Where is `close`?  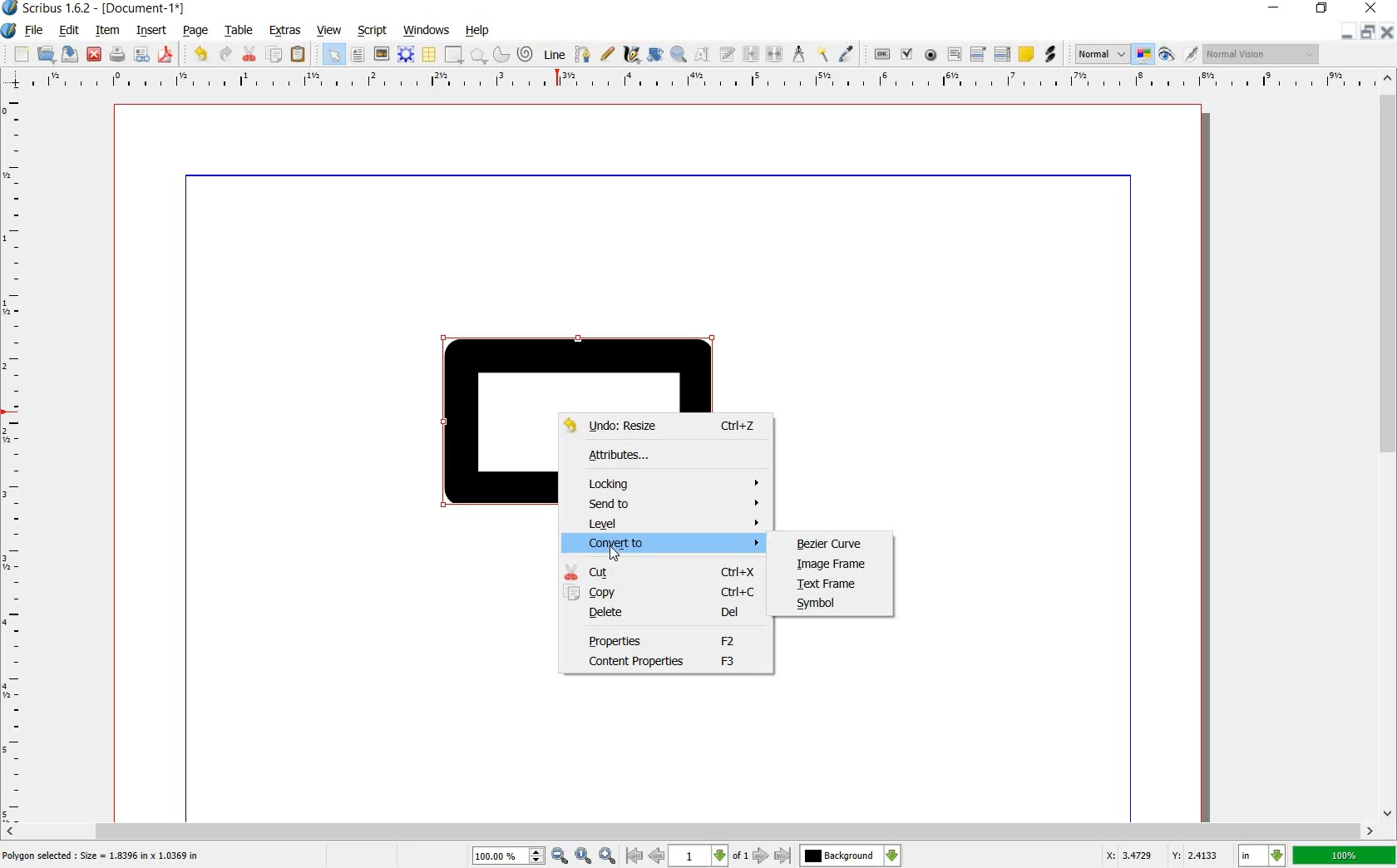
close is located at coordinates (1370, 8).